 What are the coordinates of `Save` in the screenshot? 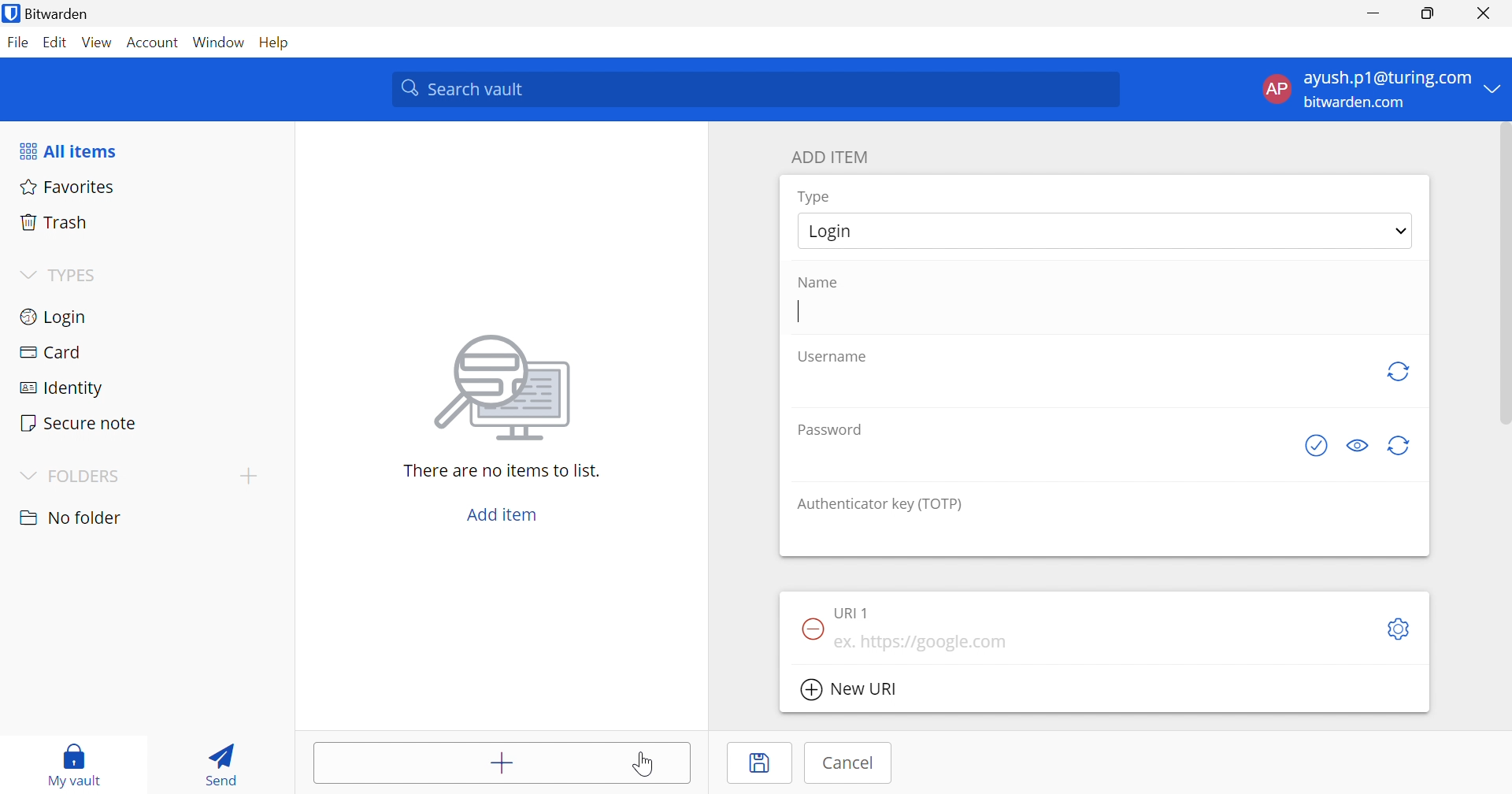 It's located at (759, 764).